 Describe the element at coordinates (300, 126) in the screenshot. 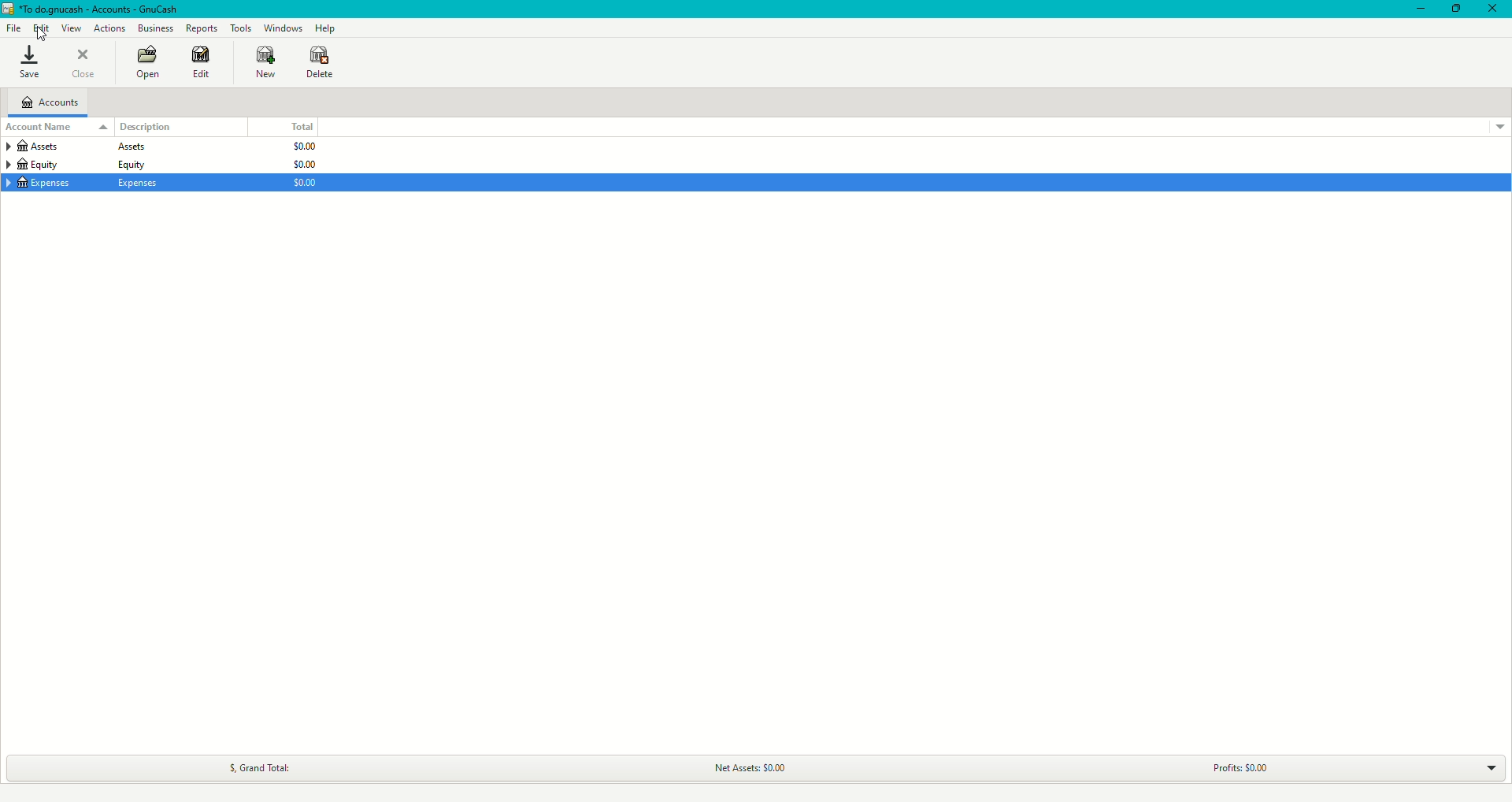

I see `Total` at that location.